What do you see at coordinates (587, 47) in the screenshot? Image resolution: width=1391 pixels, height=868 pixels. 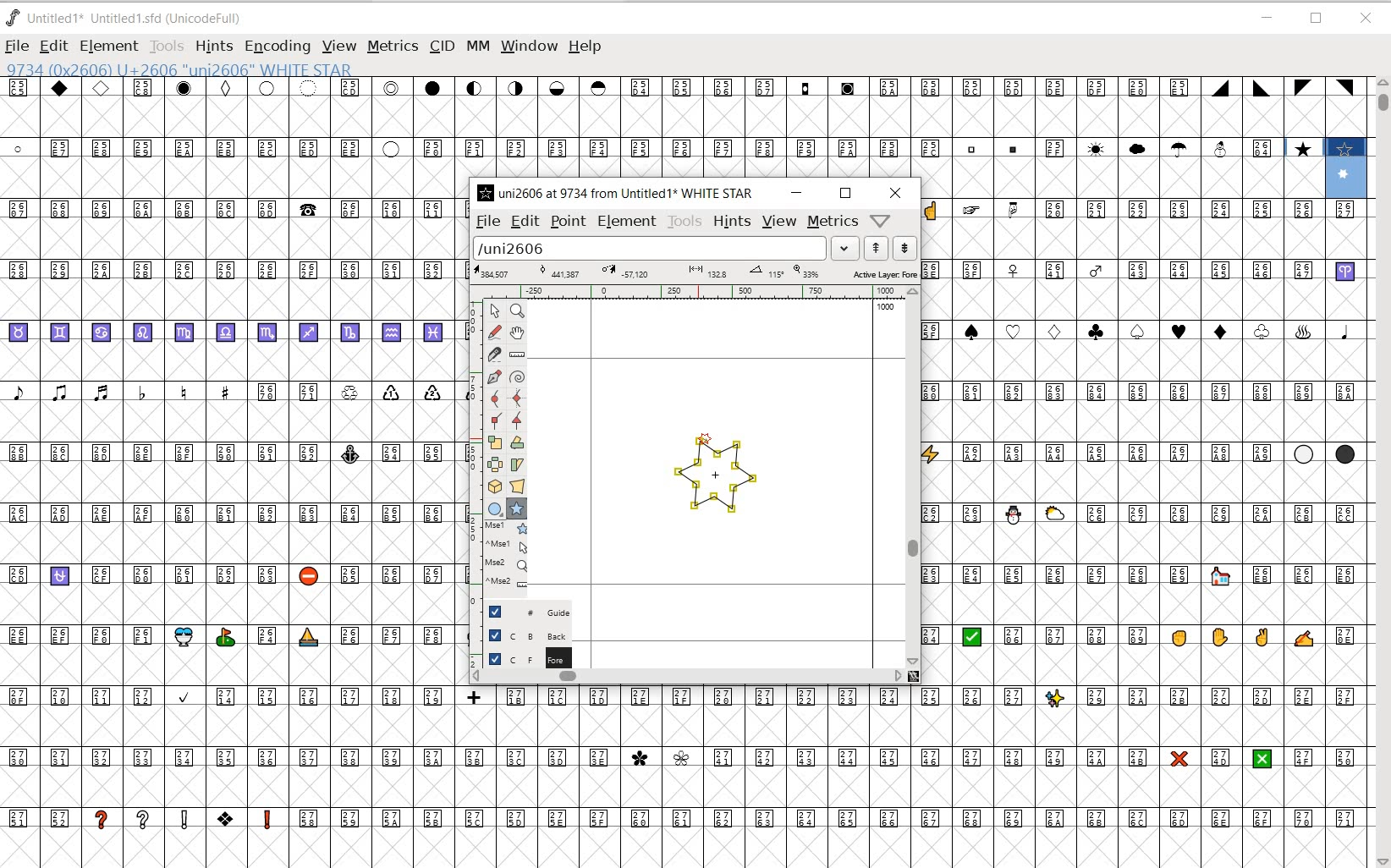 I see `HELP` at bounding box center [587, 47].